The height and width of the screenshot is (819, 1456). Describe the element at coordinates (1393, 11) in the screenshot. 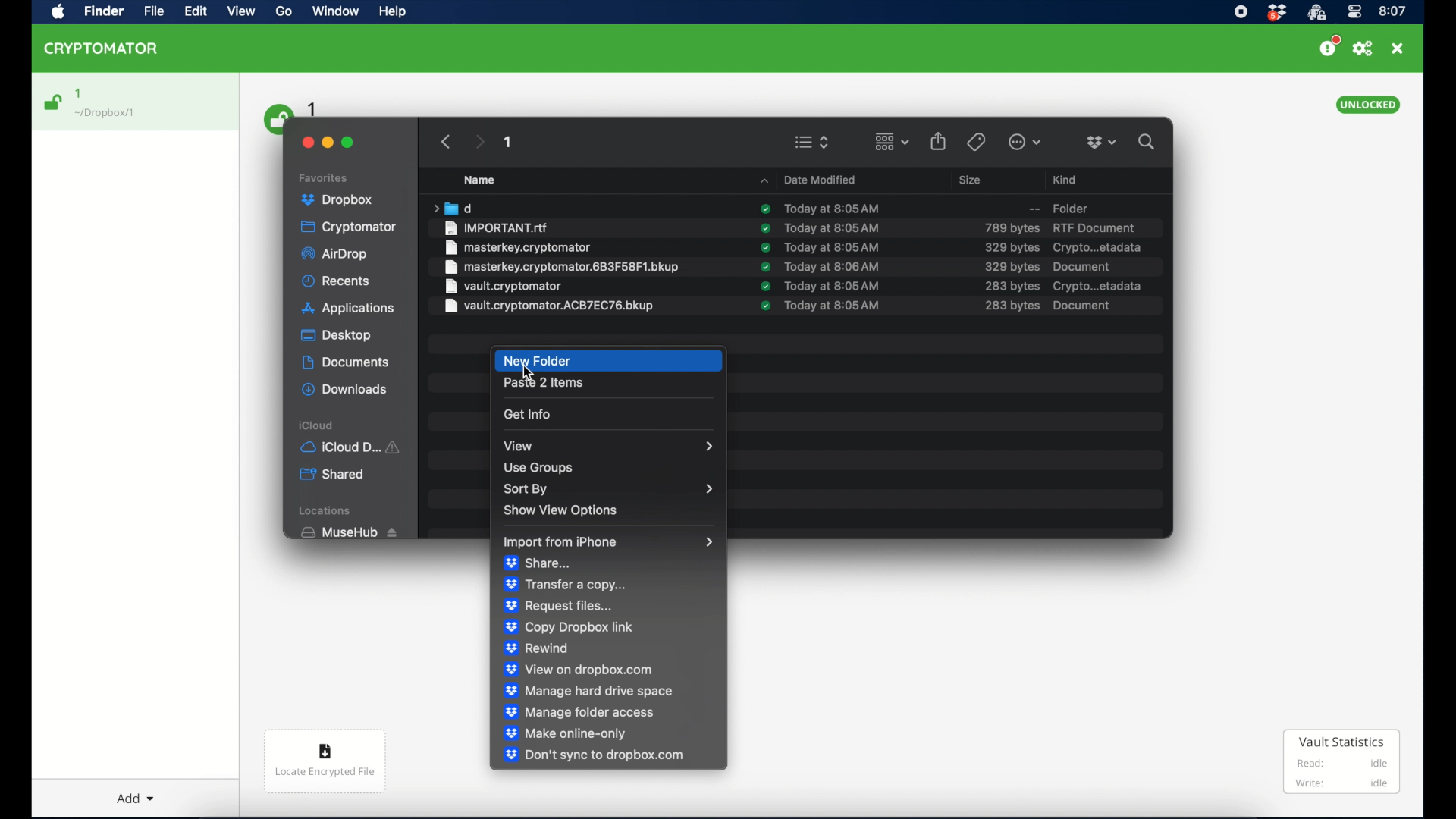

I see `time` at that location.